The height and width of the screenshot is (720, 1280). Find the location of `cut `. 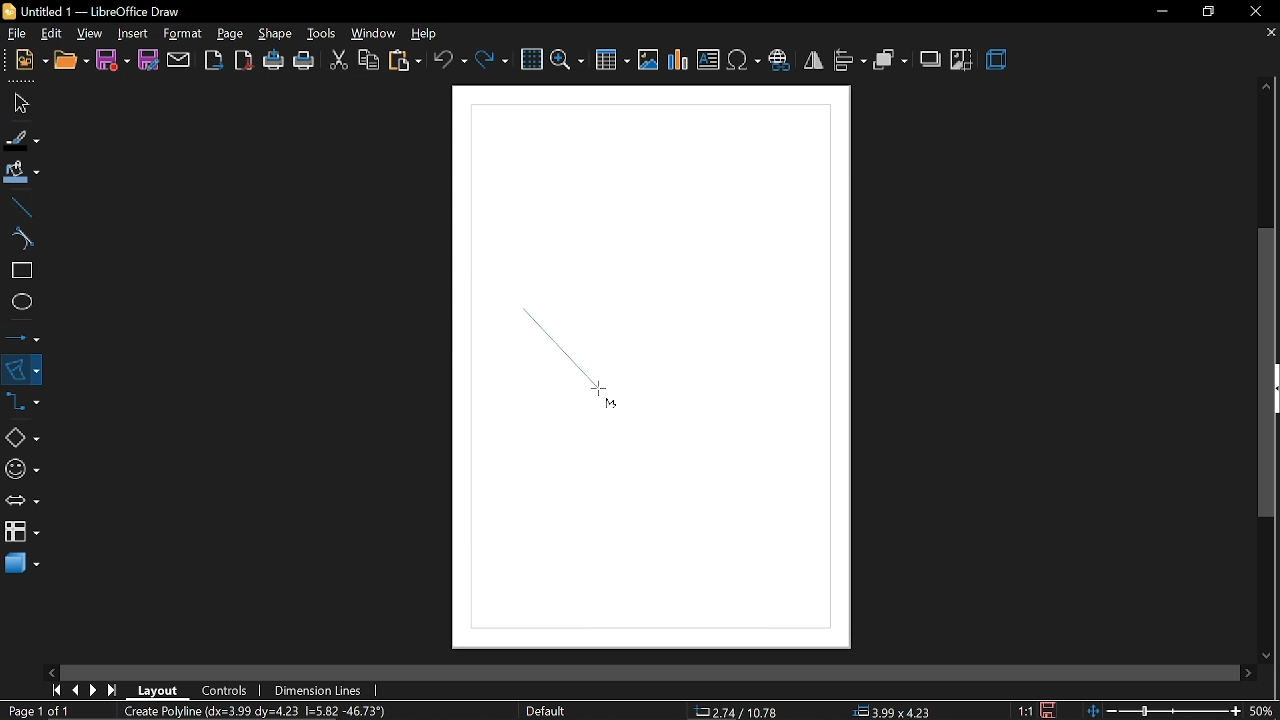

cut  is located at coordinates (338, 58).